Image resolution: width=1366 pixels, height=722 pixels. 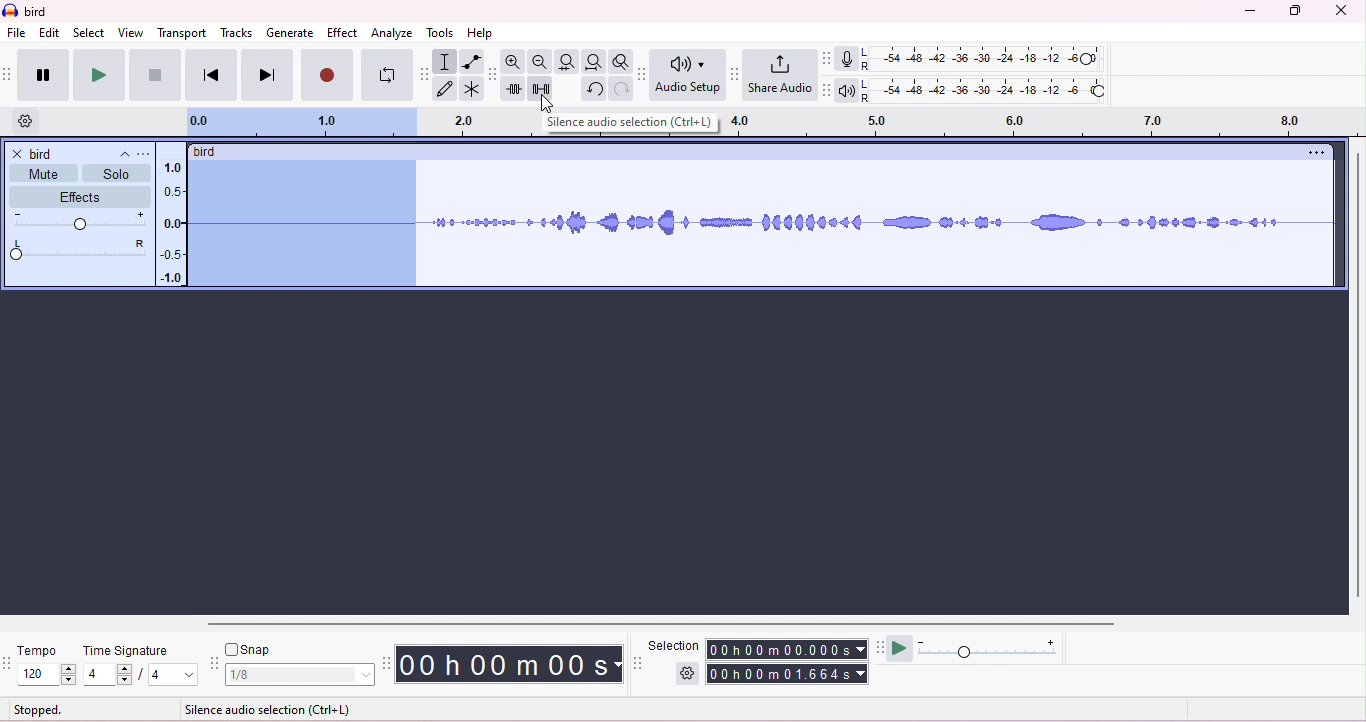 I want to click on generate, so click(x=290, y=34).